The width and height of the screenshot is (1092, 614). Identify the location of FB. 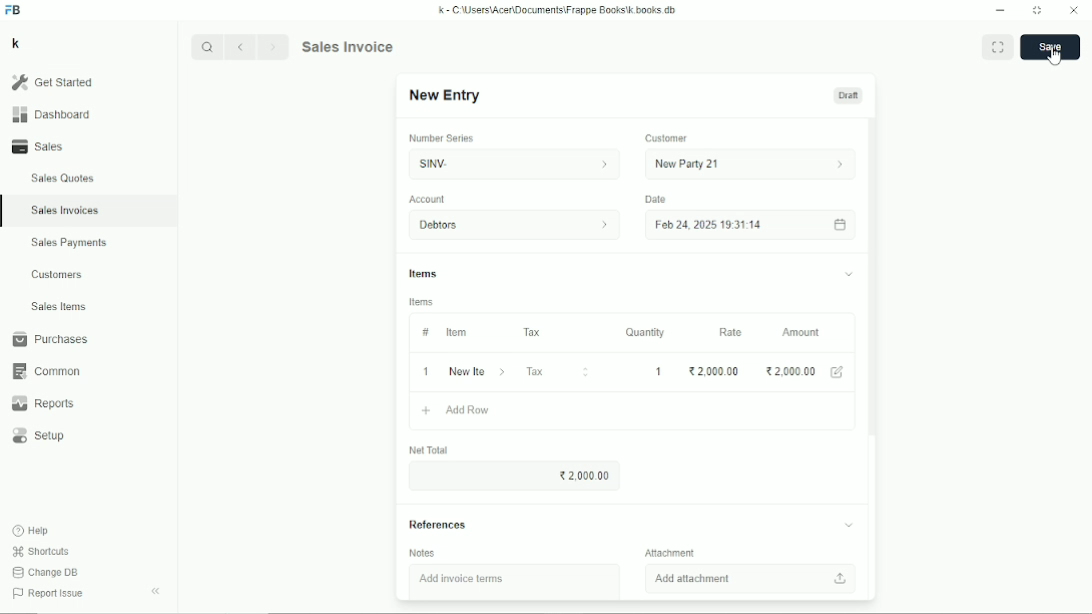
(14, 10).